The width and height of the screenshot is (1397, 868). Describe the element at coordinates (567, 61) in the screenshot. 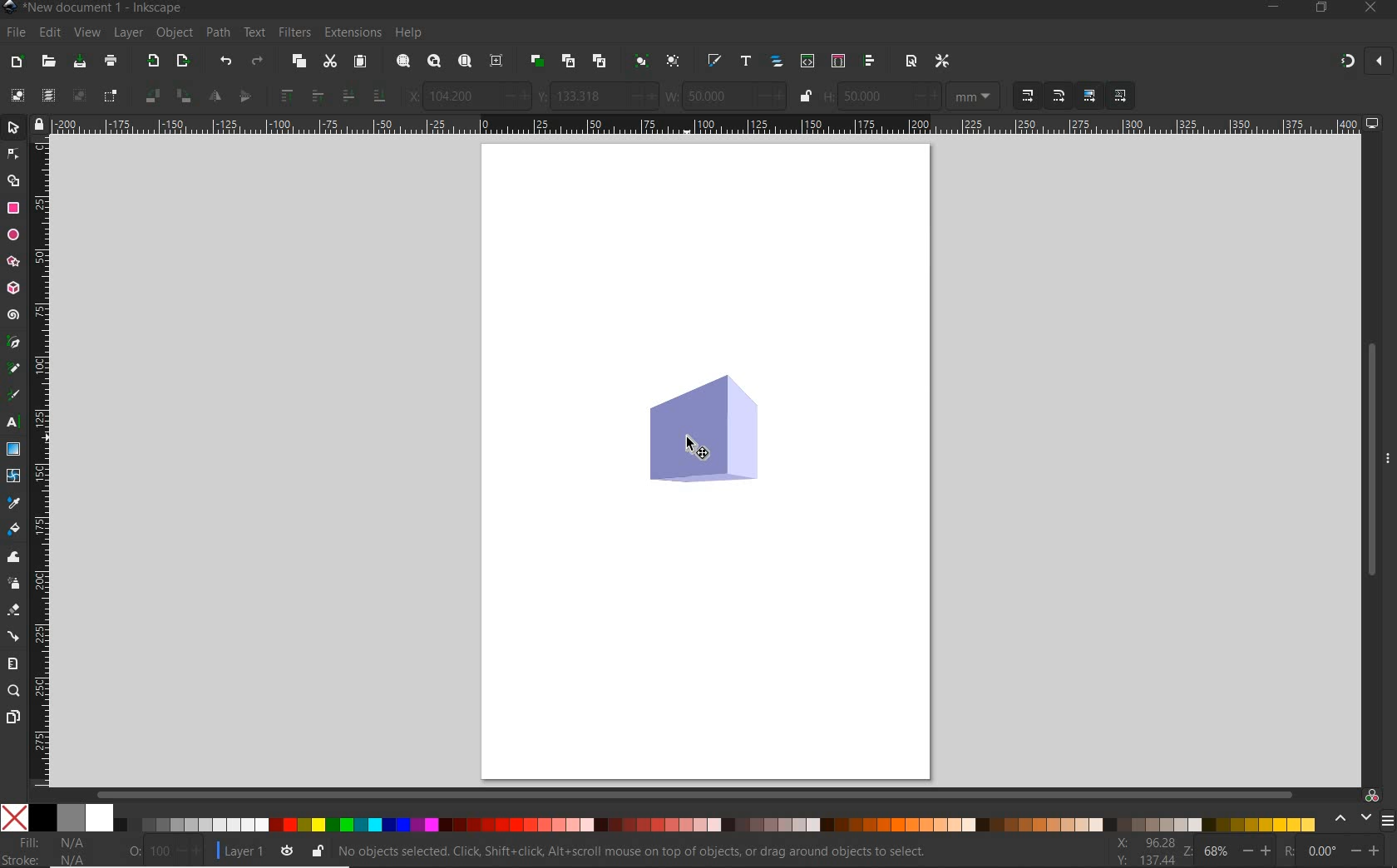

I see `create clone` at that location.